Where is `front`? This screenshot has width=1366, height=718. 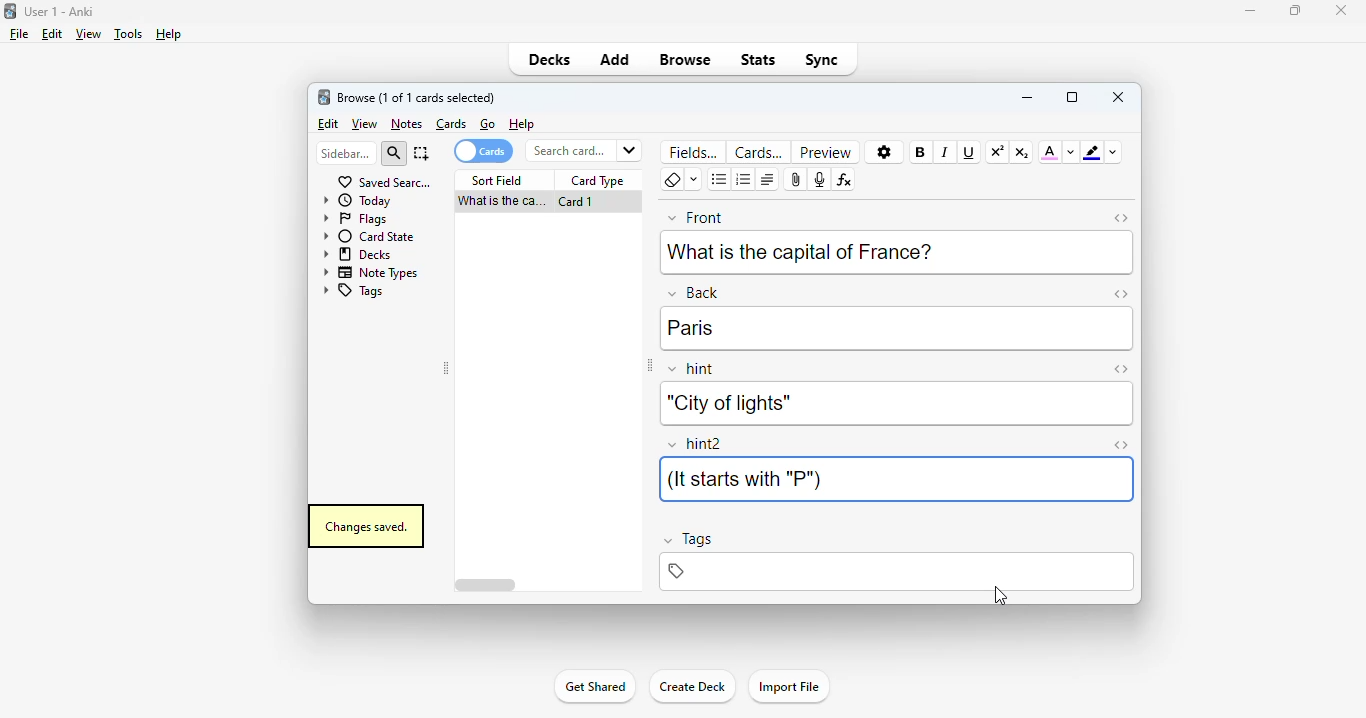 front is located at coordinates (696, 216).